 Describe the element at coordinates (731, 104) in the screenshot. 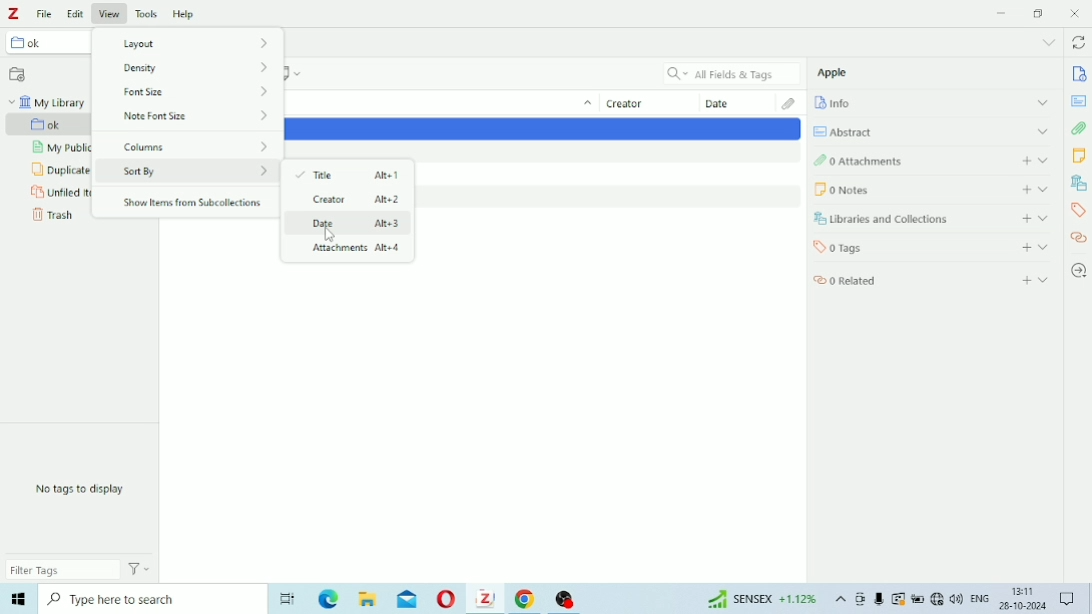

I see `Date` at that location.